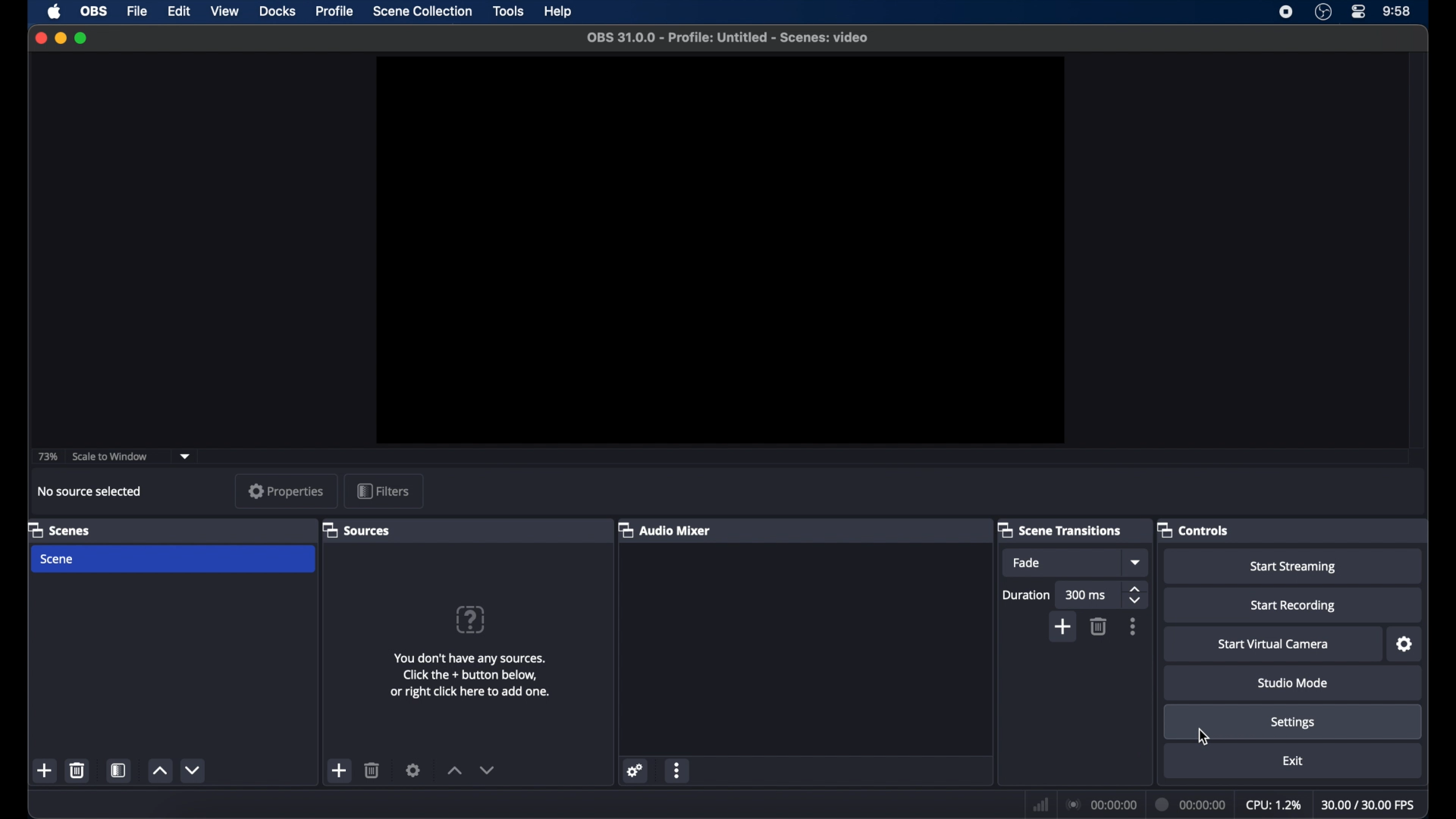 Image resolution: width=1456 pixels, height=819 pixels. What do you see at coordinates (1294, 606) in the screenshot?
I see `start recording` at bounding box center [1294, 606].